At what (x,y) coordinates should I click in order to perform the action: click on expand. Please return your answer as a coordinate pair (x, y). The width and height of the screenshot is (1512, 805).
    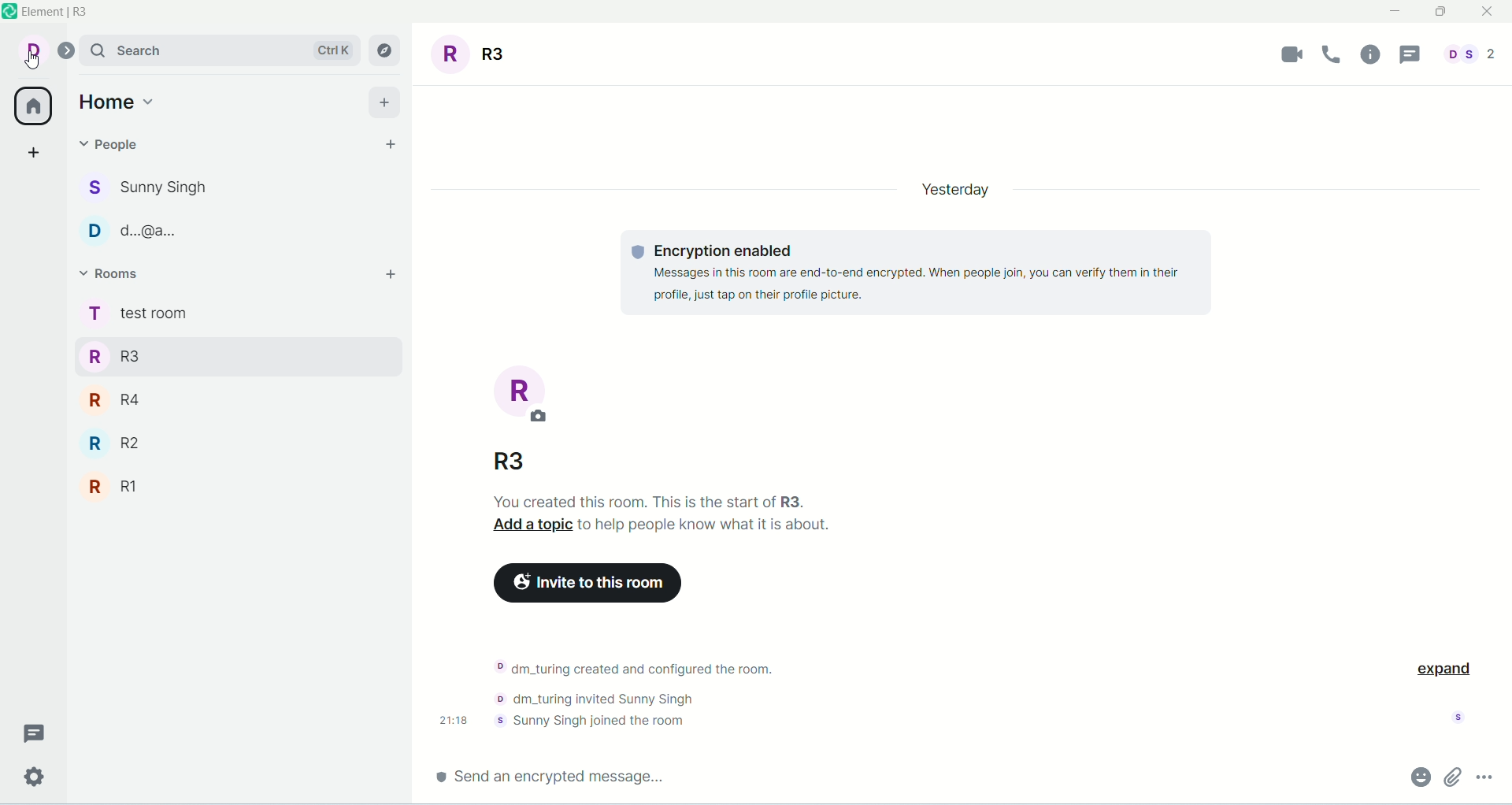
    Looking at the image, I should click on (1442, 667).